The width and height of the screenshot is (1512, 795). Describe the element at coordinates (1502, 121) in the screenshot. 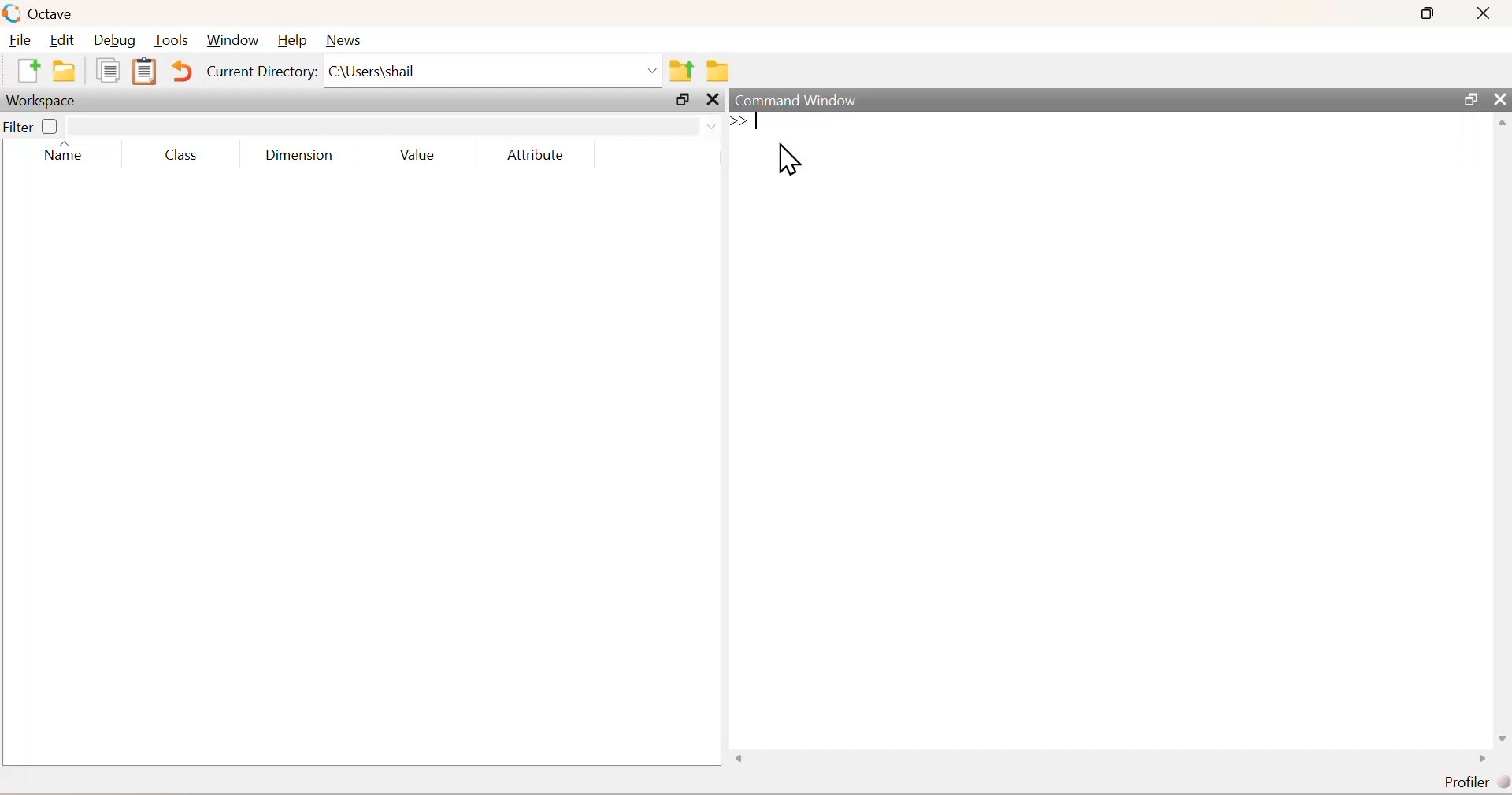

I see `scroll up` at that location.